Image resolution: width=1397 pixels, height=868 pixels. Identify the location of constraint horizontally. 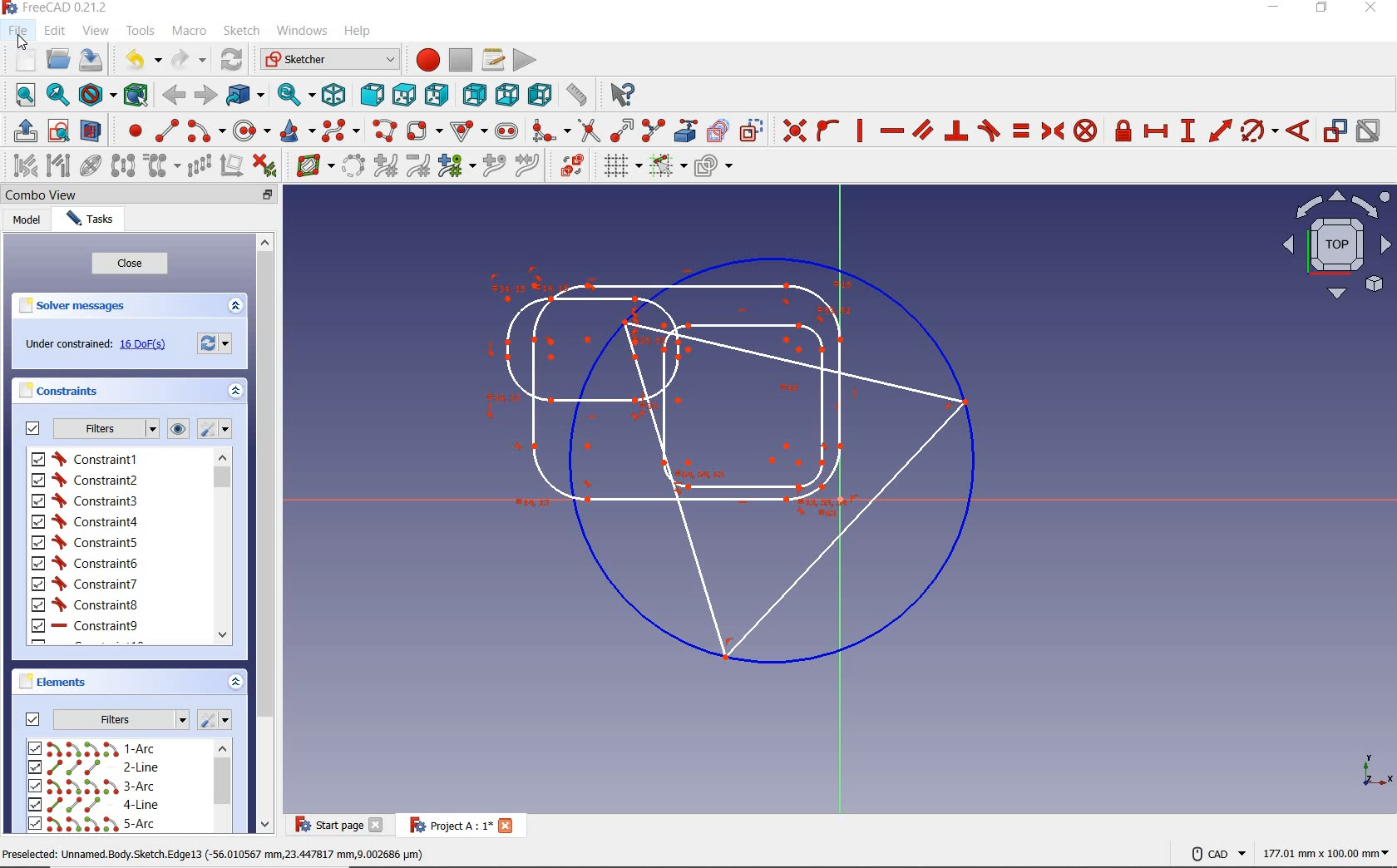
(891, 132).